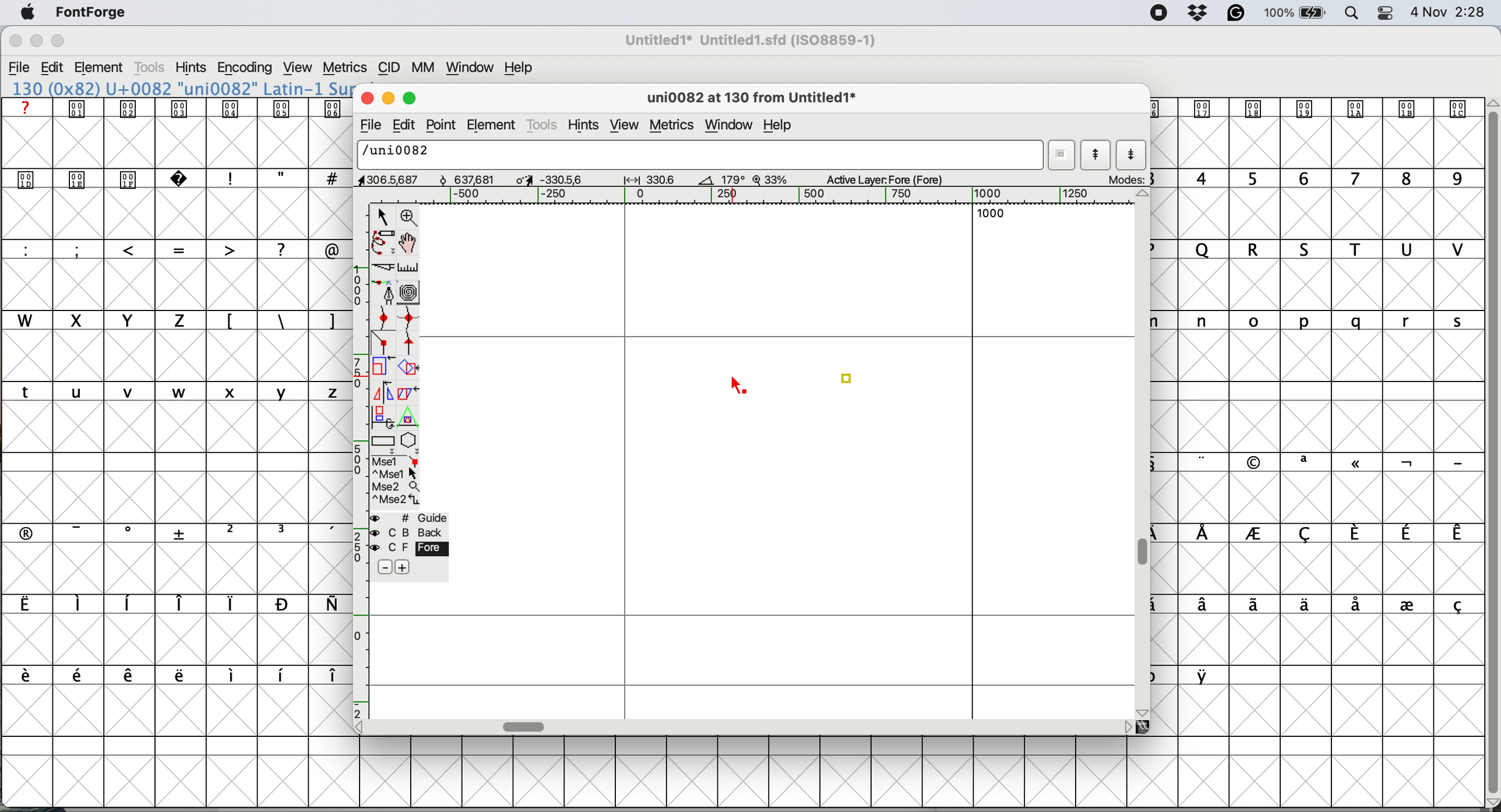  I want to click on add, so click(401, 567).